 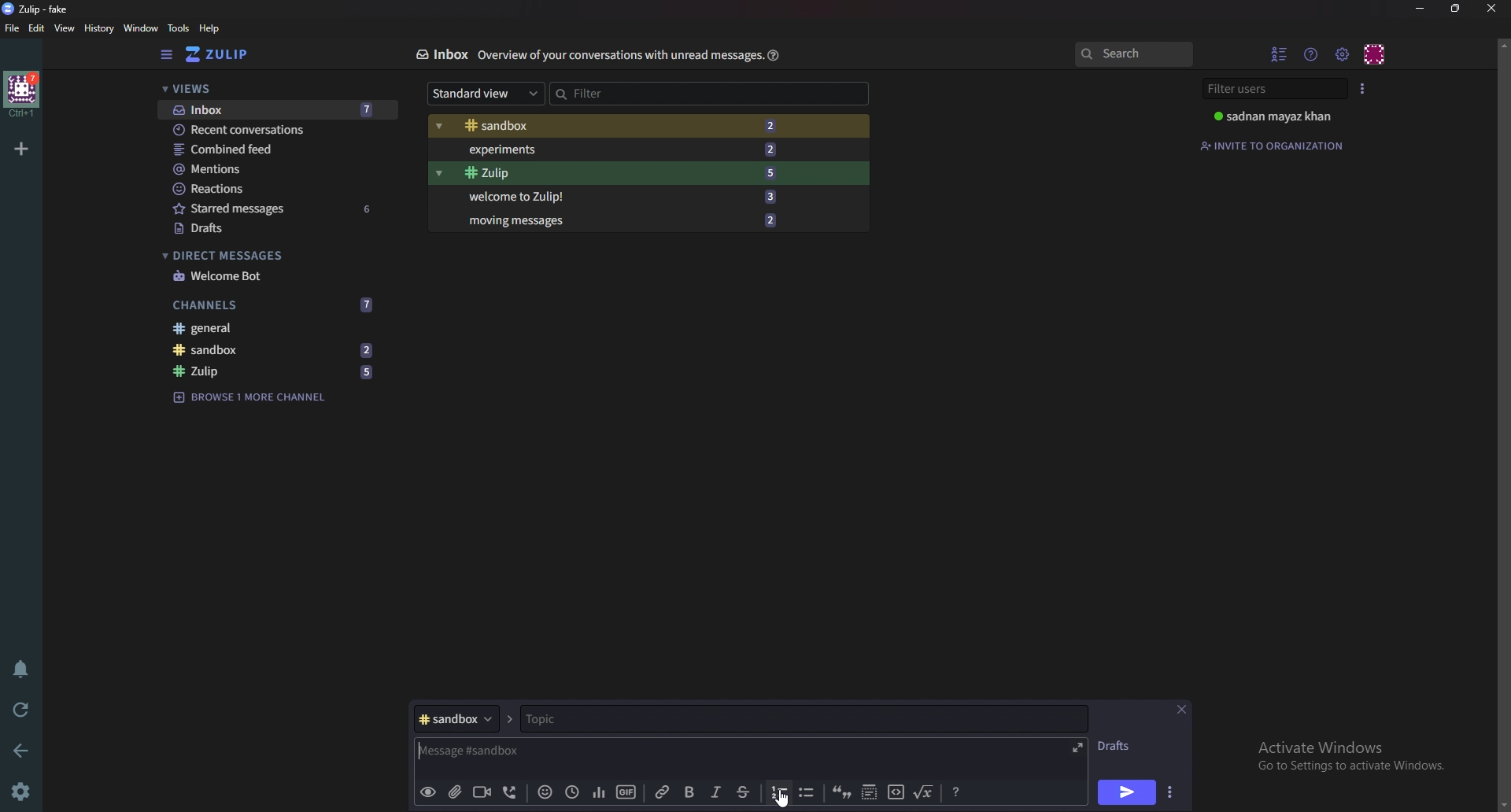 What do you see at coordinates (453, 793) in the screenshot?
I see `Add a file` at bounding box center [453, 793].